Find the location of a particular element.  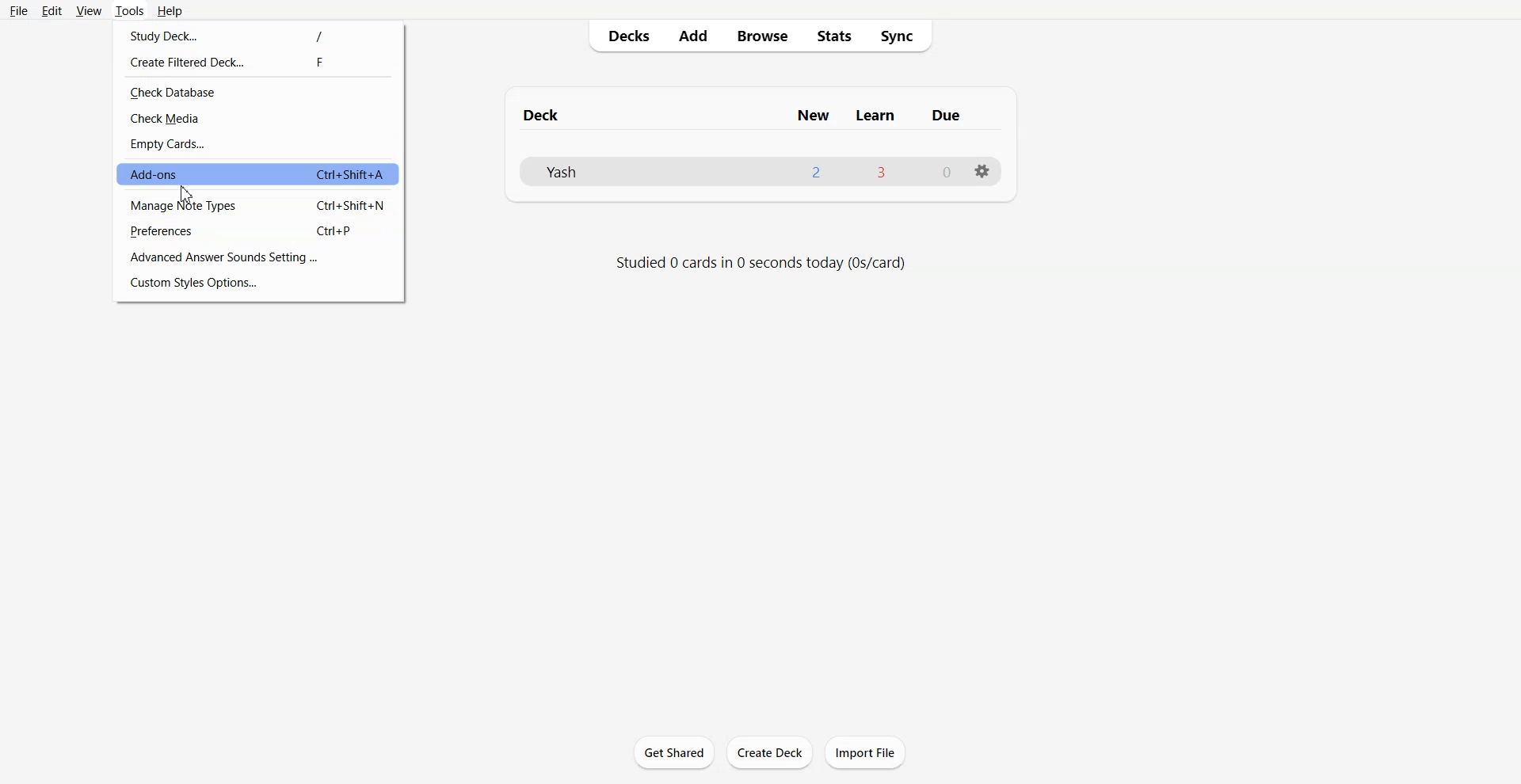

Add is located at coordinates (693, 36).